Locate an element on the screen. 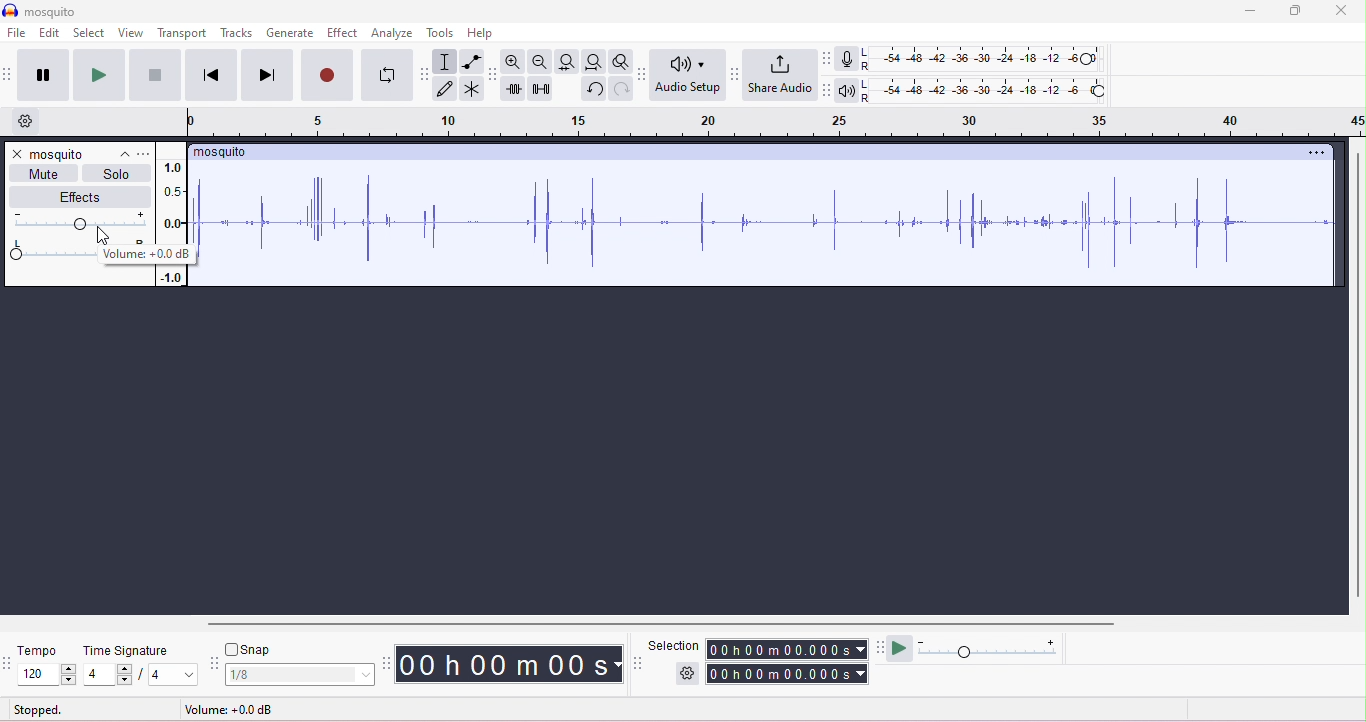 This screenshot has width=1366, height=722. waveform is located at coordinates (767, 222).